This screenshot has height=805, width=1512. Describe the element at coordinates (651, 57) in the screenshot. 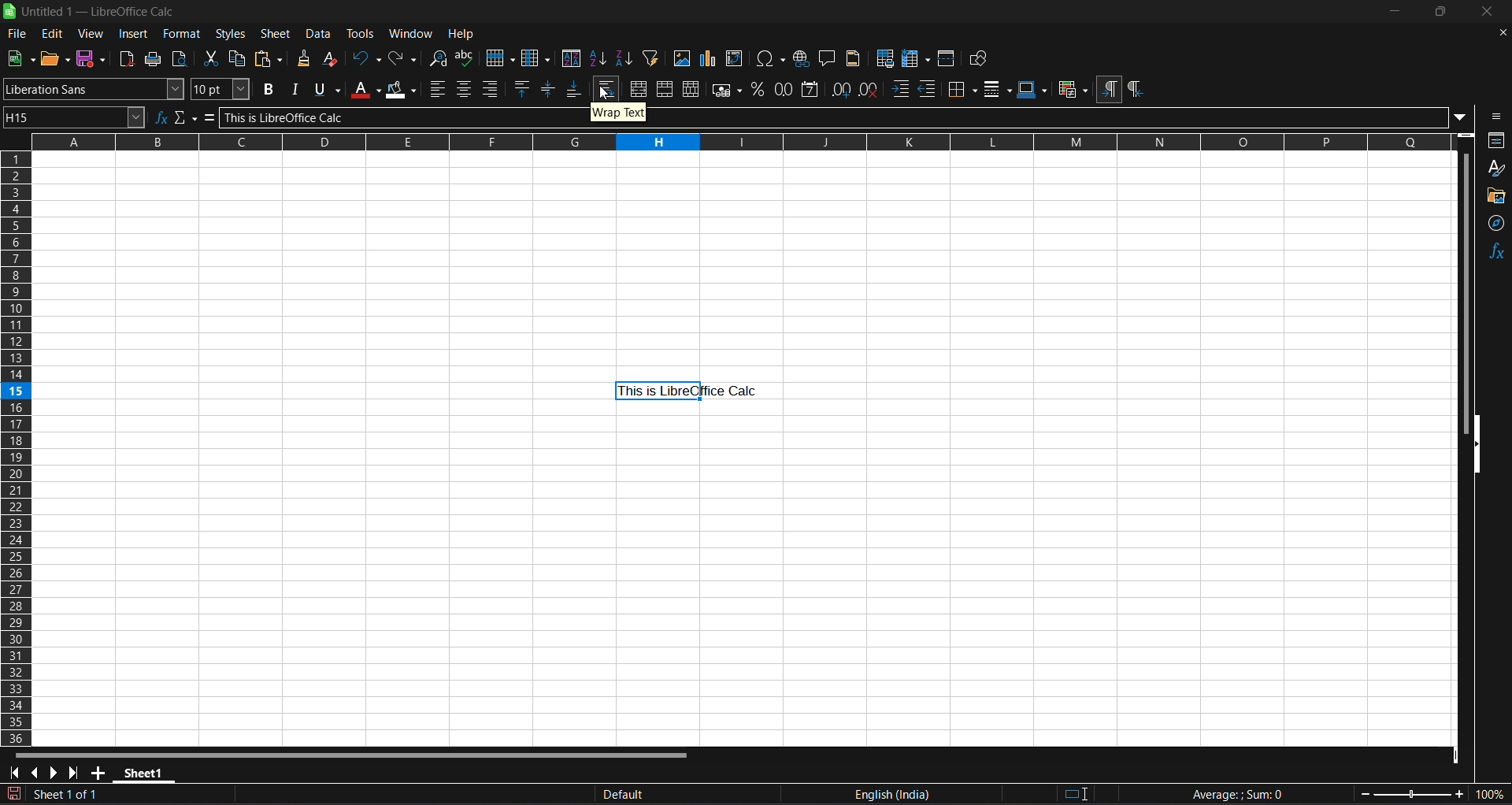

I see `auto filter` at that location.